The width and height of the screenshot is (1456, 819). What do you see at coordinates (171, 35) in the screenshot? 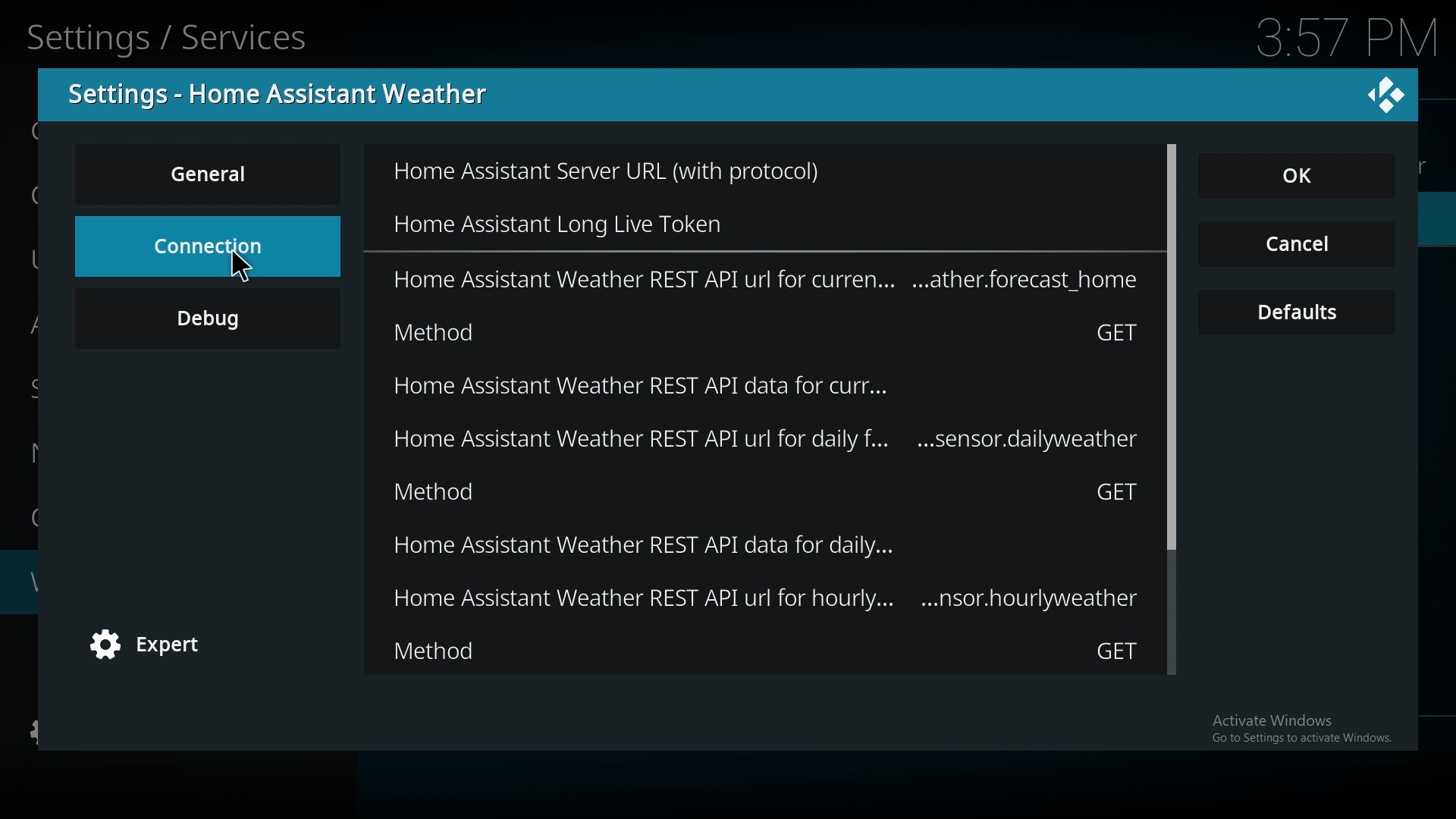
I see `Settings/Services` at bounding box center [171, 35].